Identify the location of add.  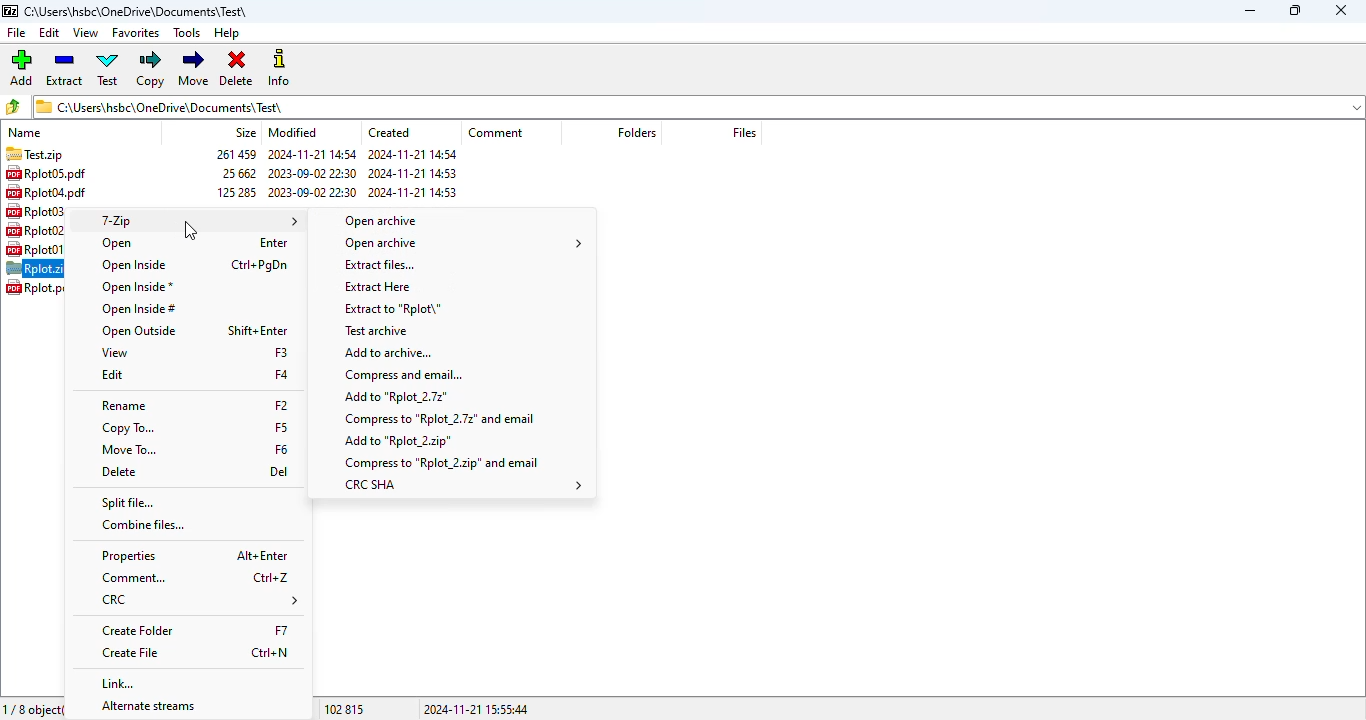
(21, 66).